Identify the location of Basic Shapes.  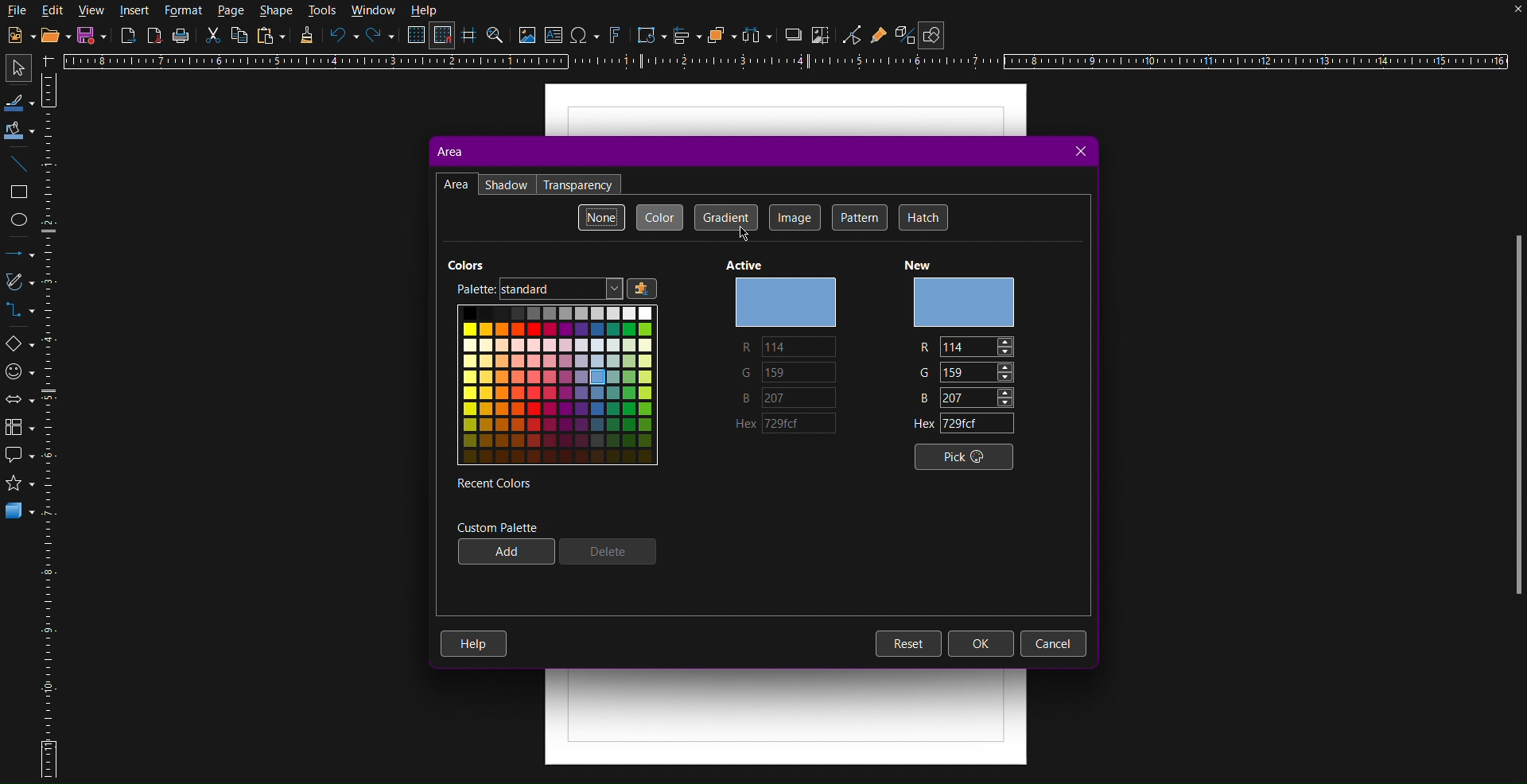
(18, 343).